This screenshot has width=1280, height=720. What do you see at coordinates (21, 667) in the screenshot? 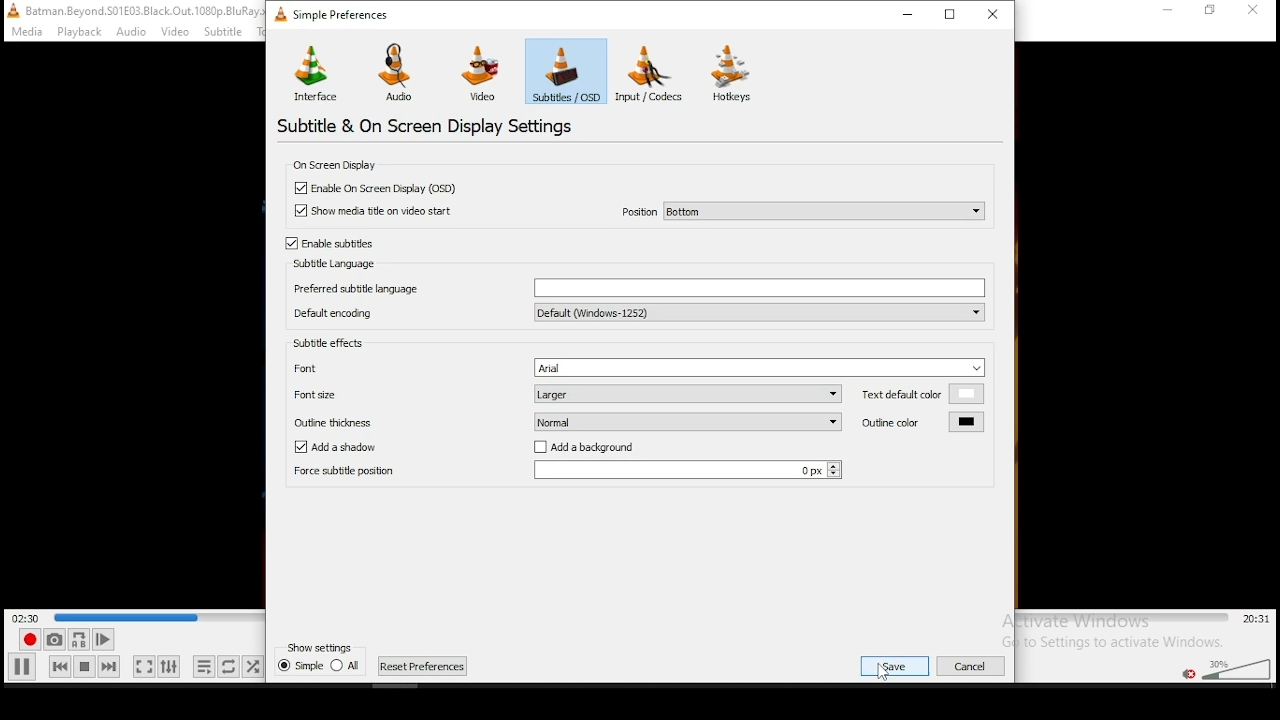
I see `play/pause` at bounding box center [21, 667].